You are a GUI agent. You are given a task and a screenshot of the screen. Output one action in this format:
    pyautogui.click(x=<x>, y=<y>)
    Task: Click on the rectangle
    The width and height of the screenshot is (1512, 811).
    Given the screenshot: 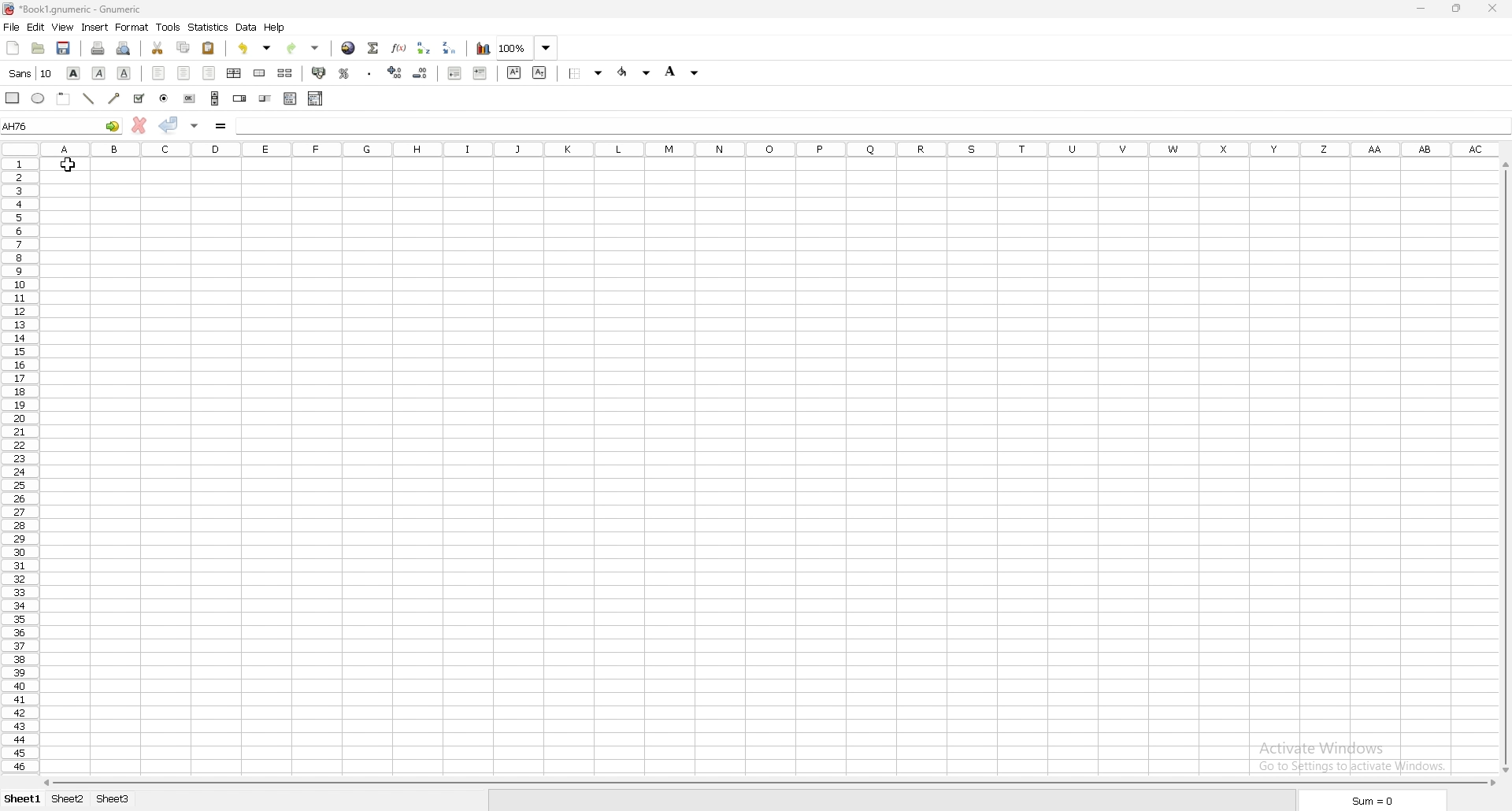 What is the action you would take?
    pyautogui.click(x=13, y=98)
    